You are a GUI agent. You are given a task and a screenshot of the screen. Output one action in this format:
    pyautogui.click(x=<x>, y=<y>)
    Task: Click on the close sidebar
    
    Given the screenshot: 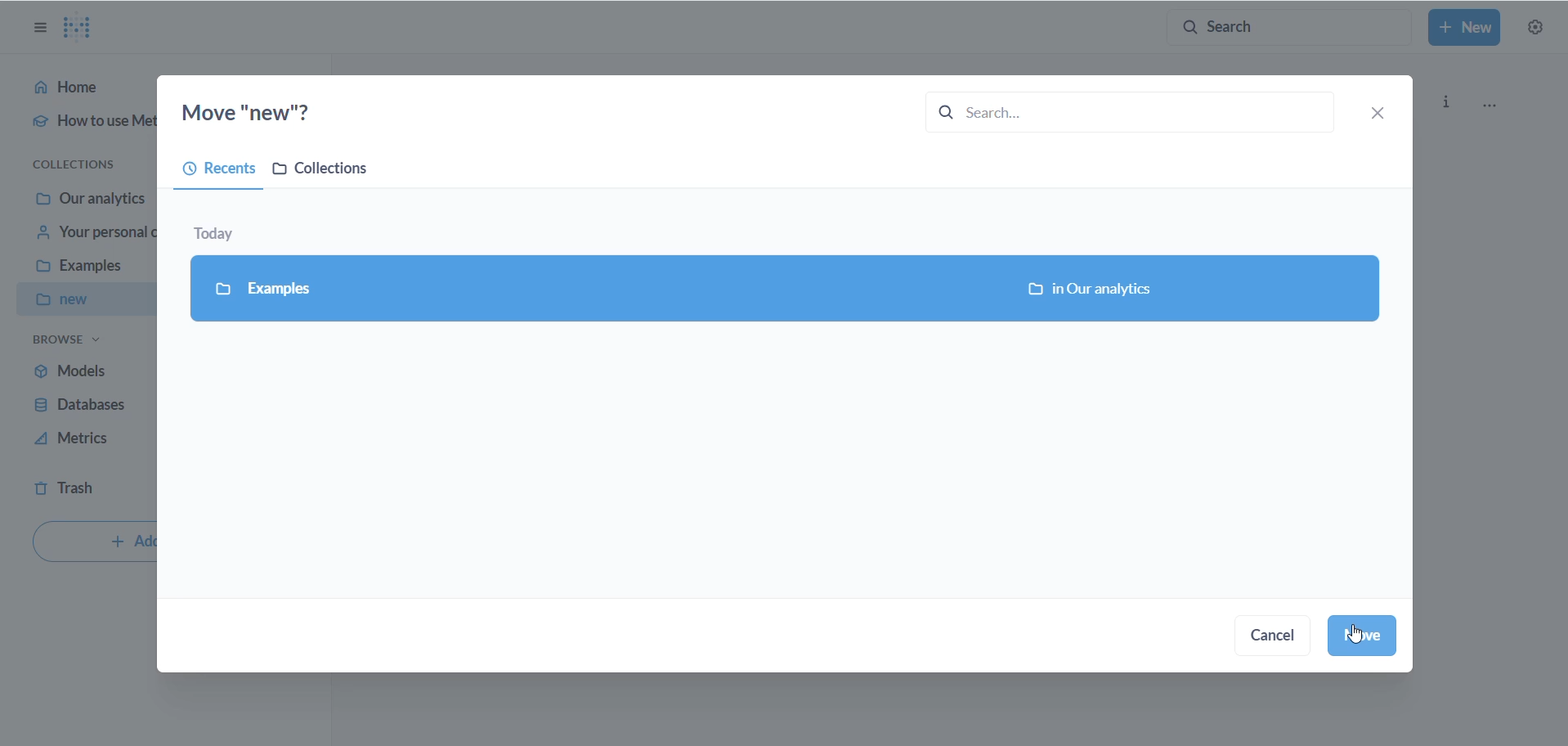 What is the action you would take?
    pyautogui.click(x=34, y=28)
    